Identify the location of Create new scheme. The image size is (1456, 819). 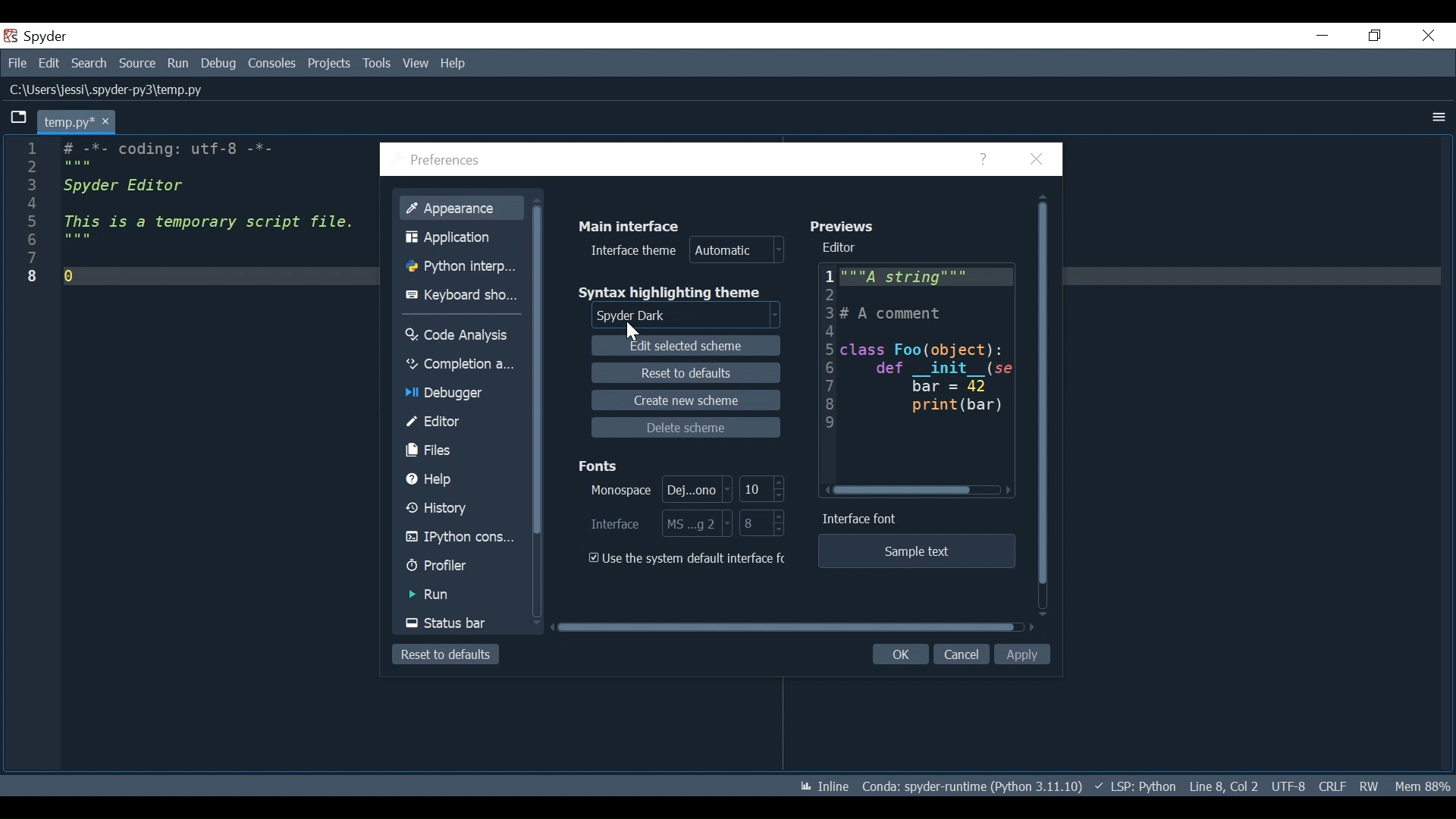
(686, 400).